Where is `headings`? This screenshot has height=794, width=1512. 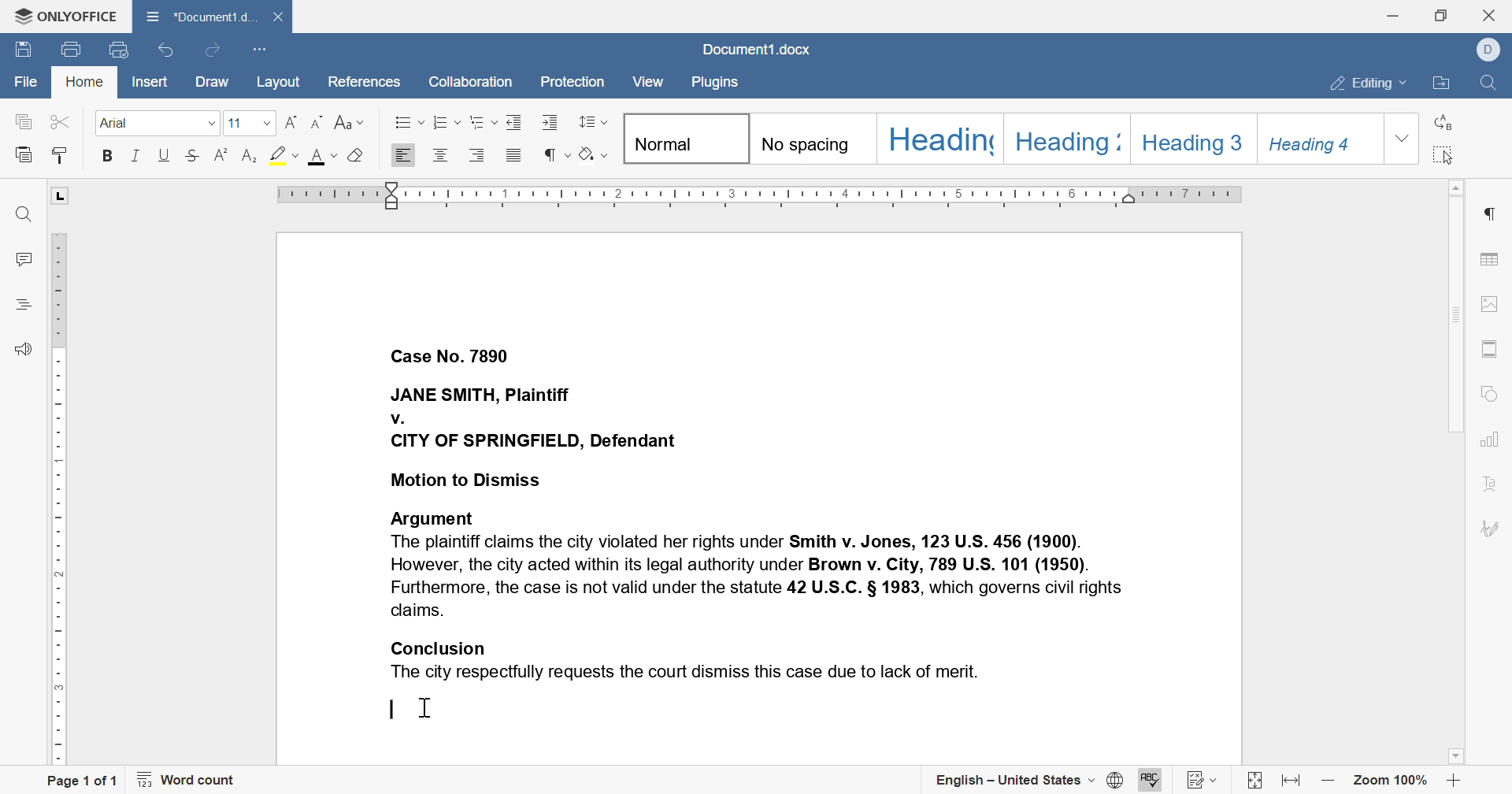
headings is located at coordinates (1002, 138).